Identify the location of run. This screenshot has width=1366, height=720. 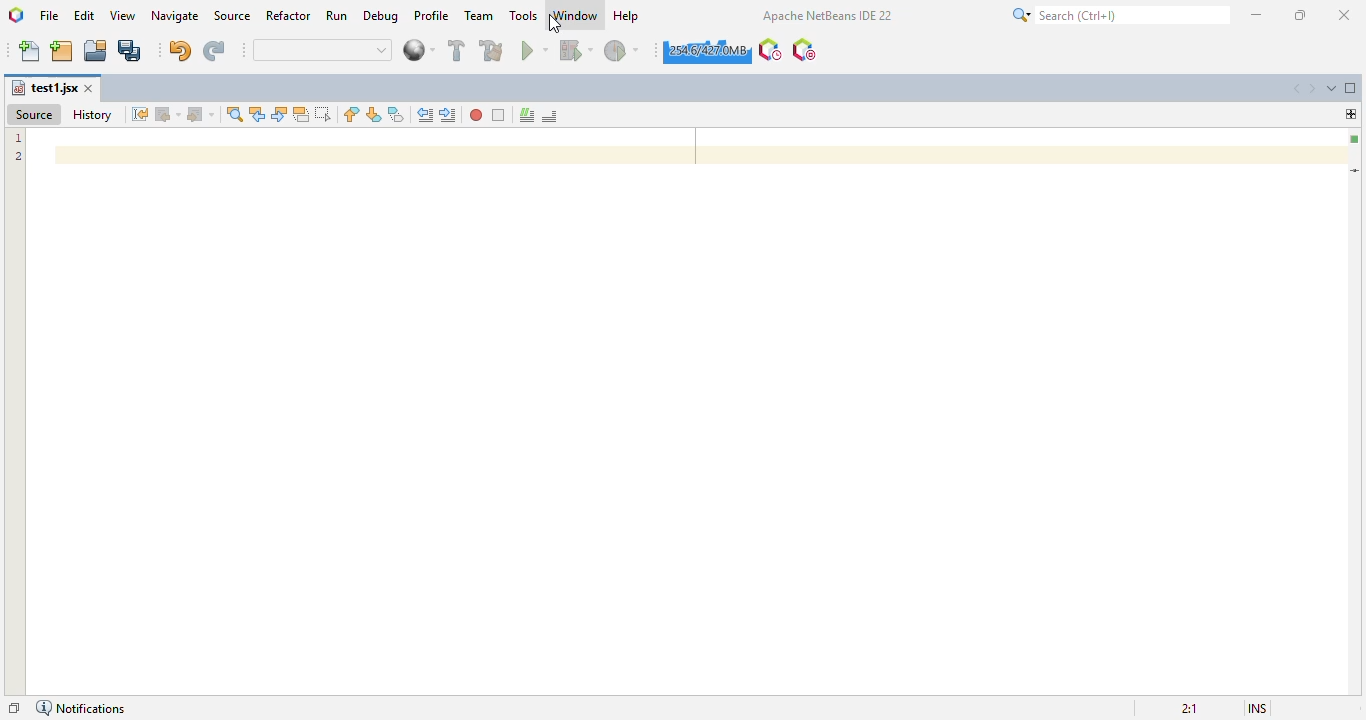
(336, 15).